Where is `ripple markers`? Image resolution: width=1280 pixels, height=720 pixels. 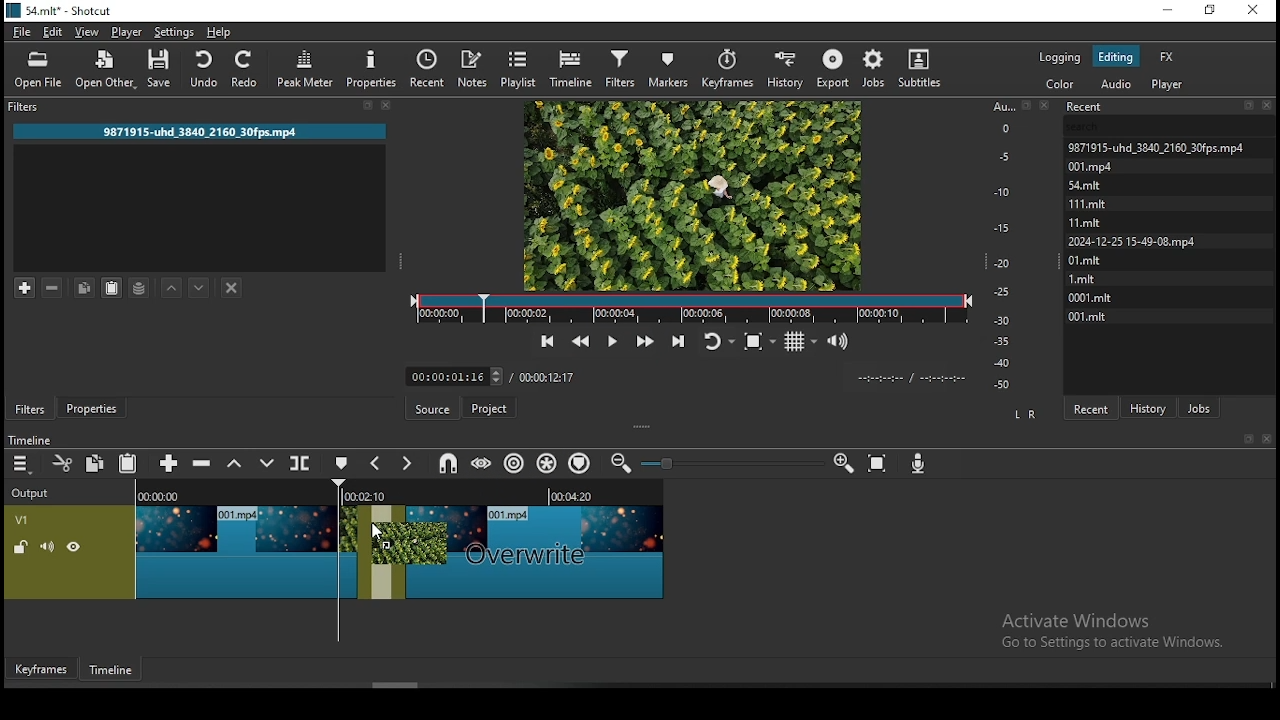 ripple markers is located at coordinates (579, 462).